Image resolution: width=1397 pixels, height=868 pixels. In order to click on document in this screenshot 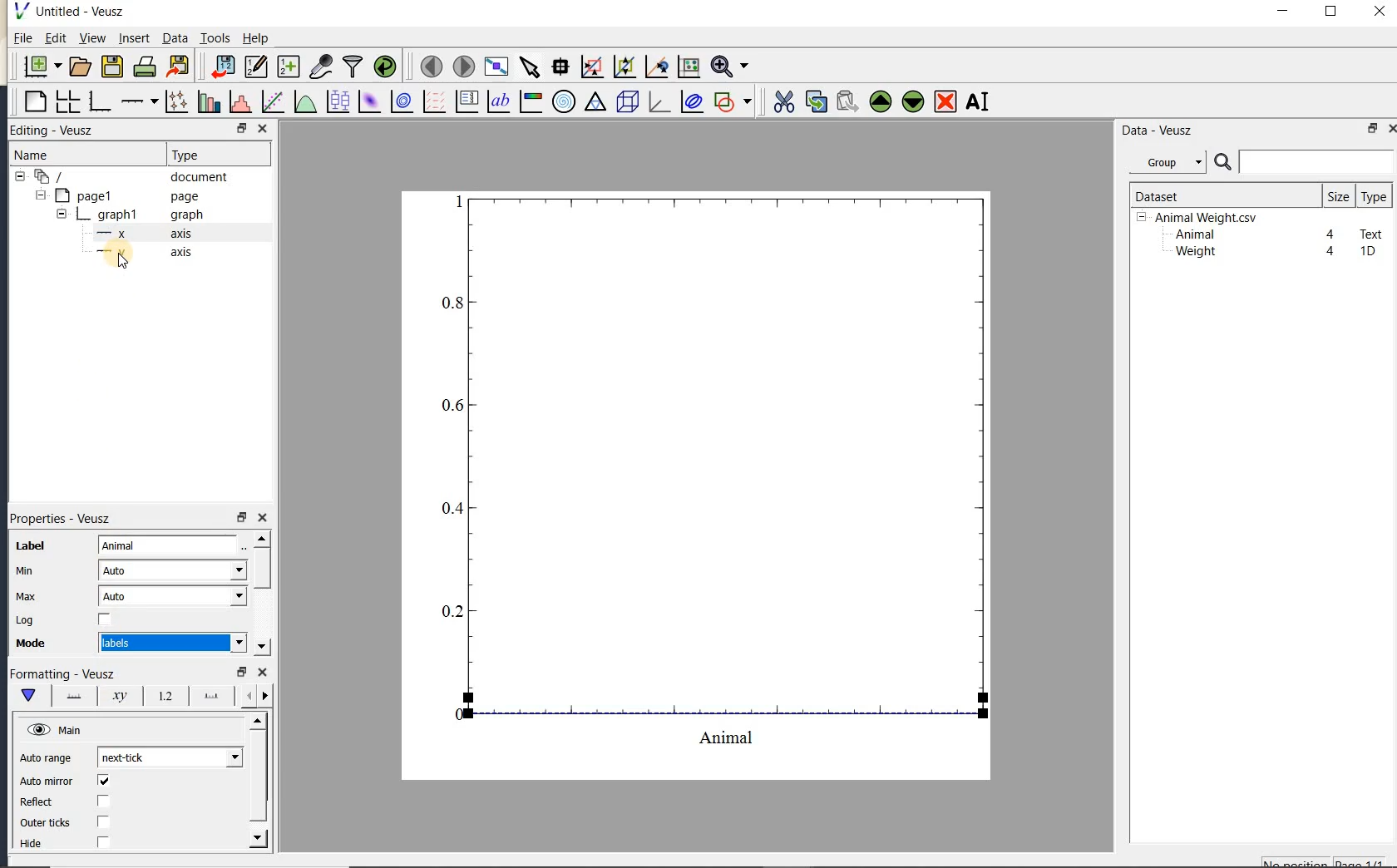, I will do `click(126, 177)`.